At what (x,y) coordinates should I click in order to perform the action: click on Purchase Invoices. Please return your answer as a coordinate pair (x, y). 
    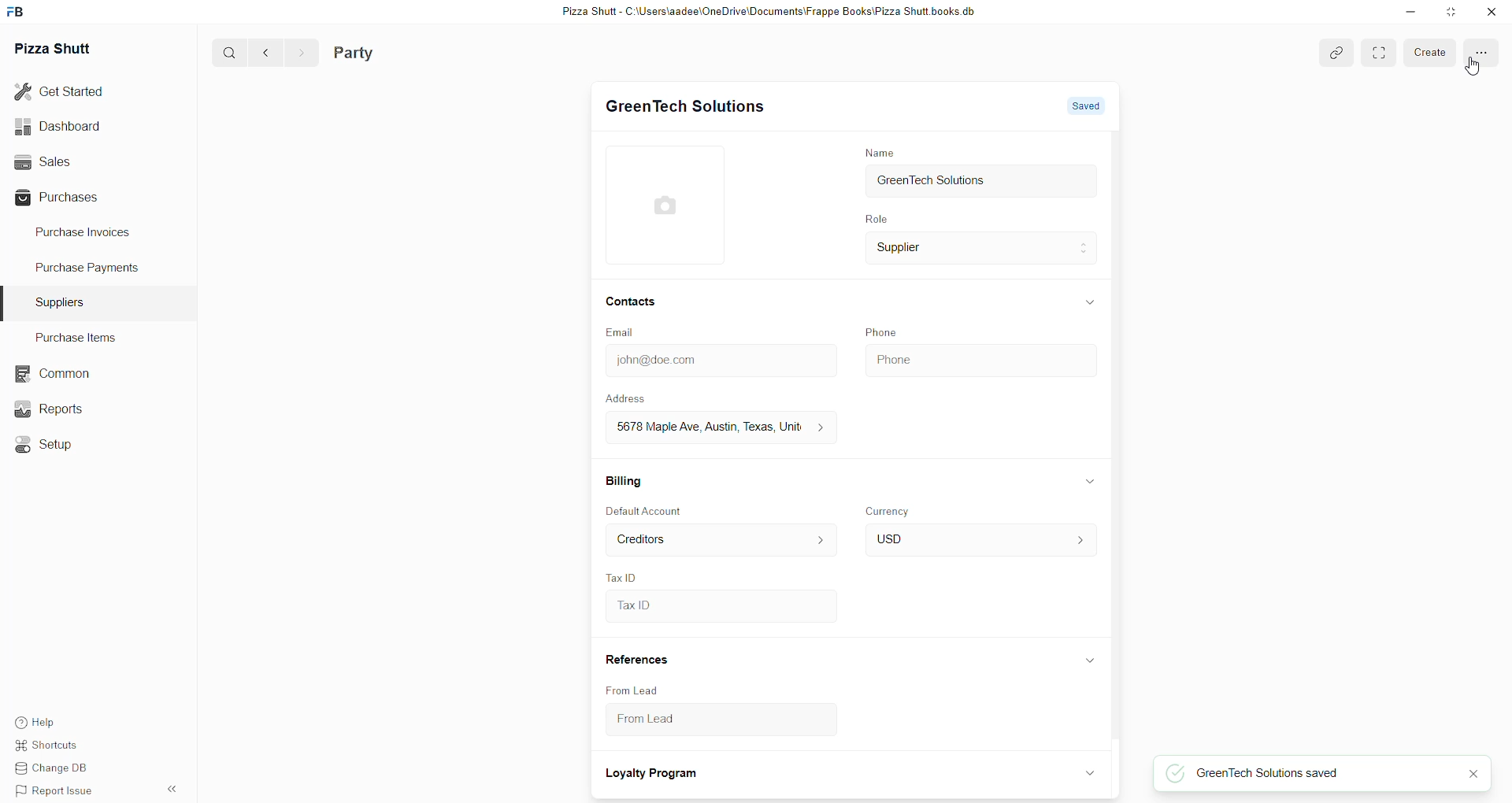
    Looking at the image, I should click on (89, 235).